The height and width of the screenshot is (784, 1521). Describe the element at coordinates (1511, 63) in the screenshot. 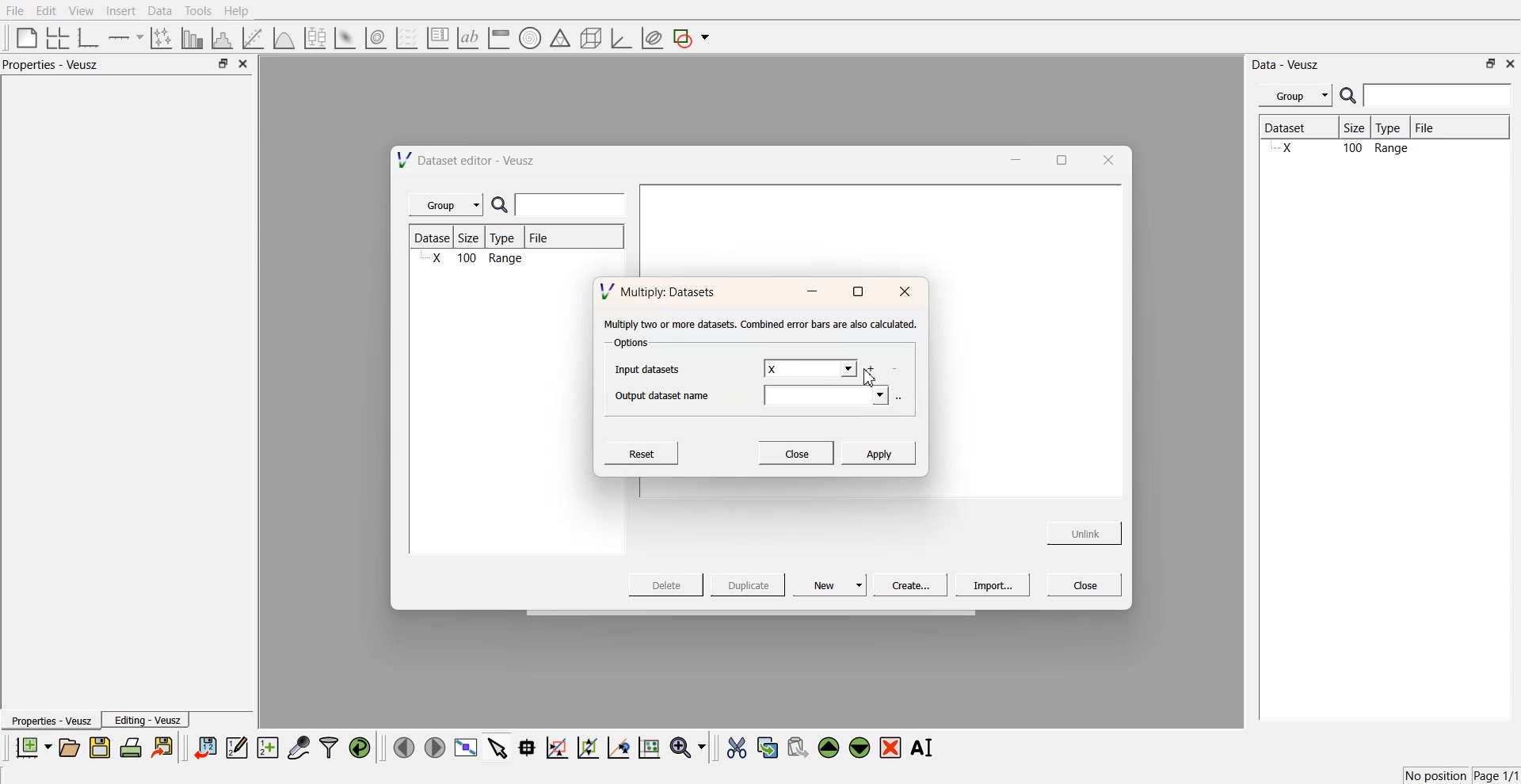

I see `close` at that location.